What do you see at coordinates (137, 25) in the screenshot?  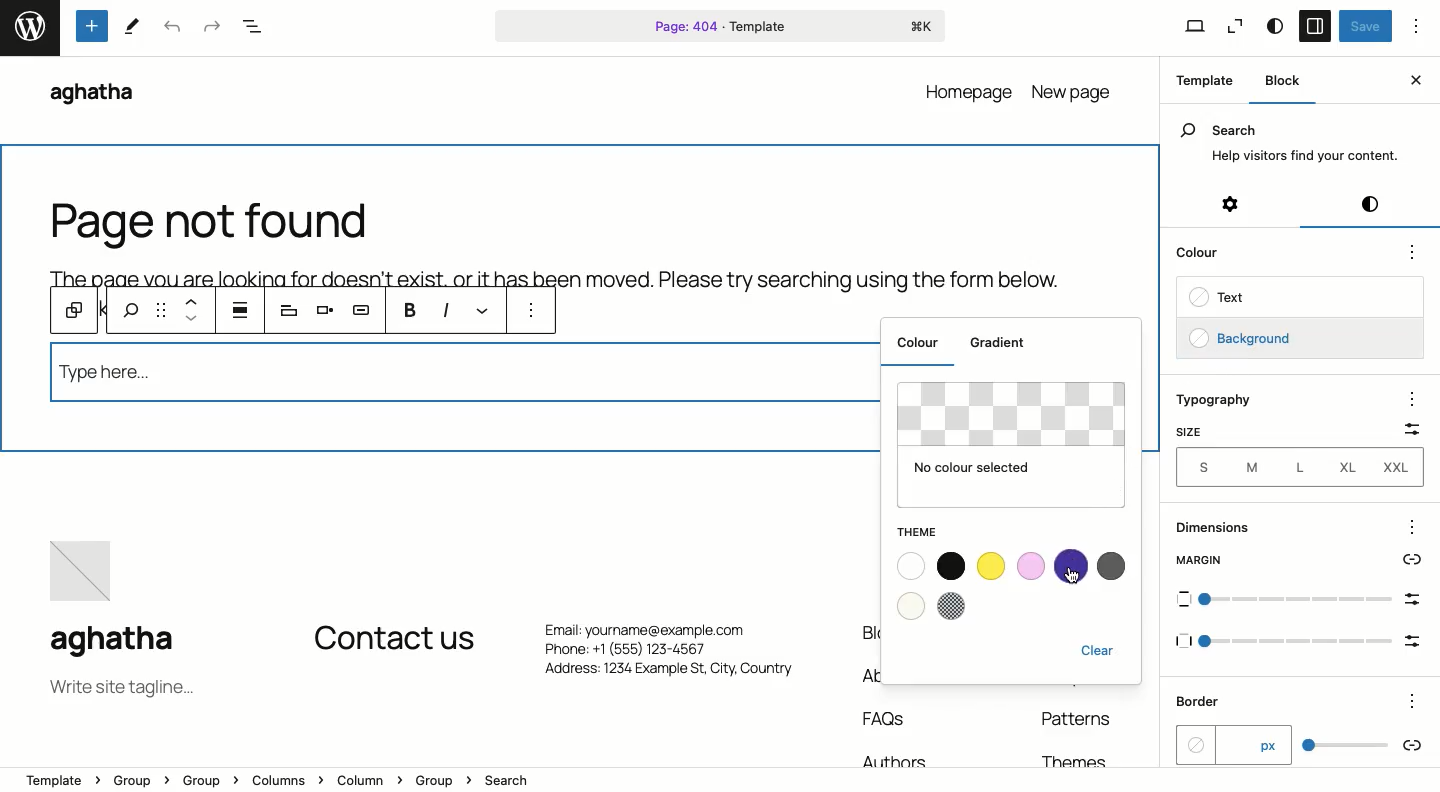 I see `tools` at bounding box center [137, 25].